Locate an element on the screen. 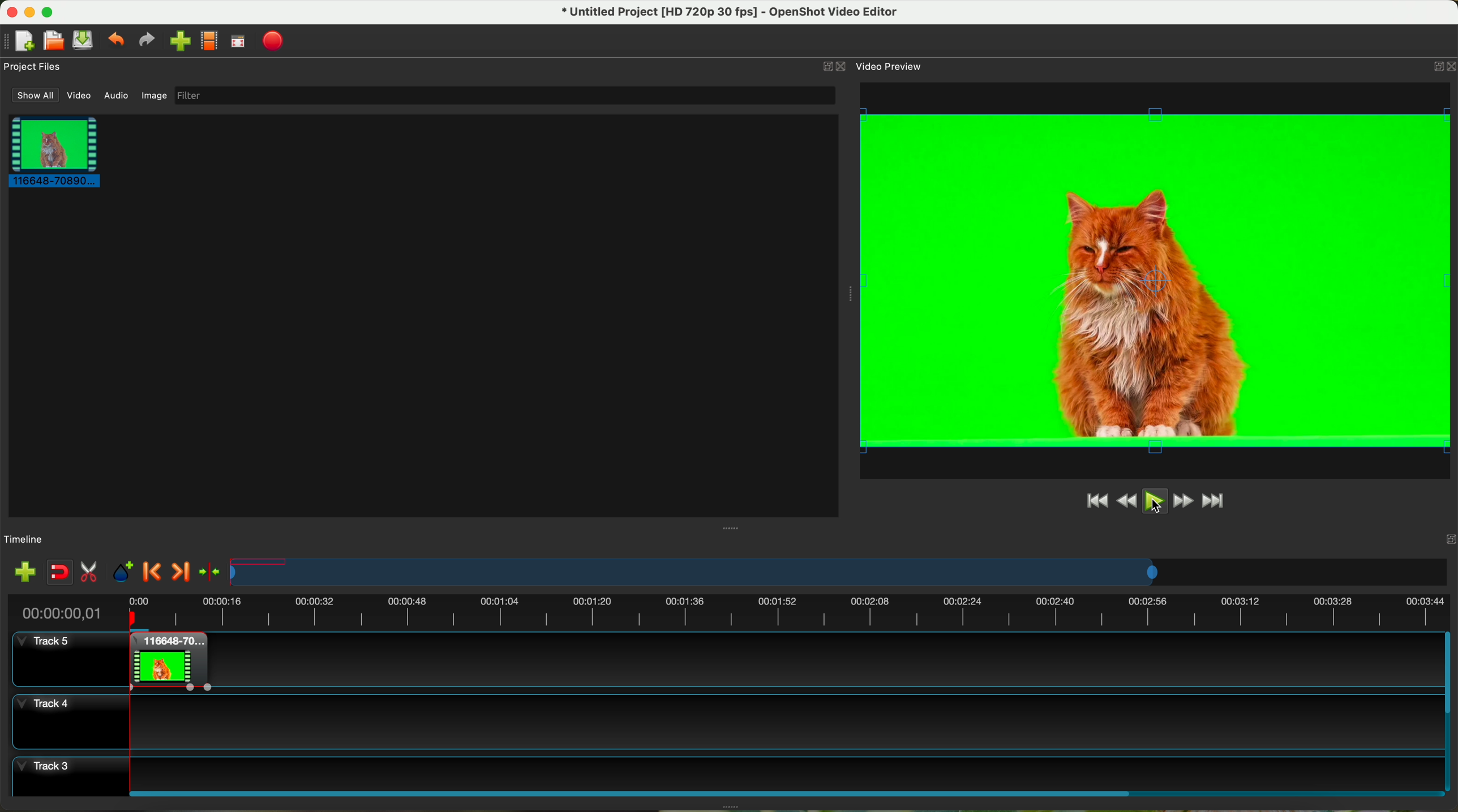 The height and width of the screenshot is (812, 1458). track 4 is located at coordinates (725, 721).